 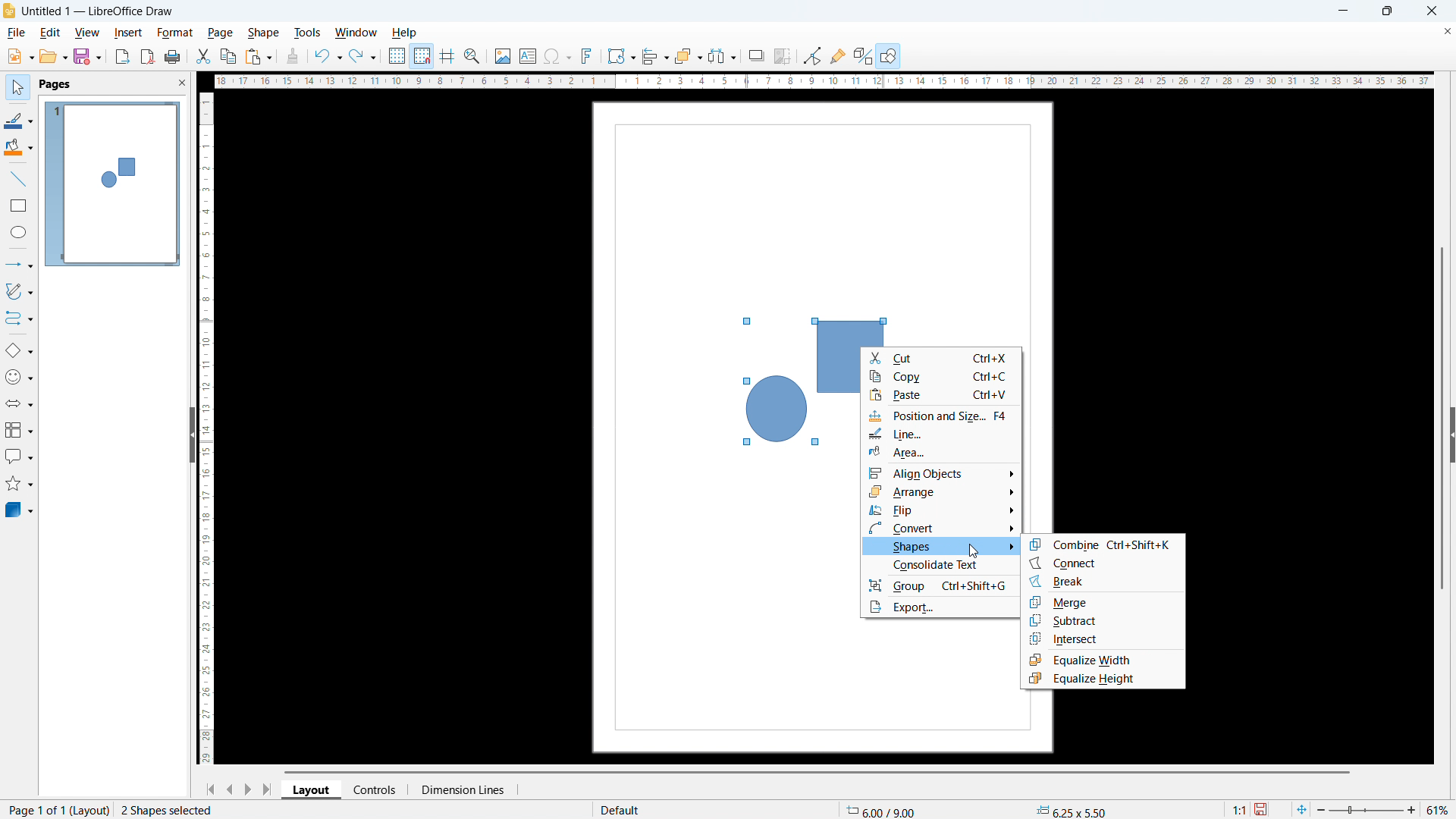 What do you see at coordinates (308, 32) in the screenshot?
I see `tools` at bounding box center [308, 32].